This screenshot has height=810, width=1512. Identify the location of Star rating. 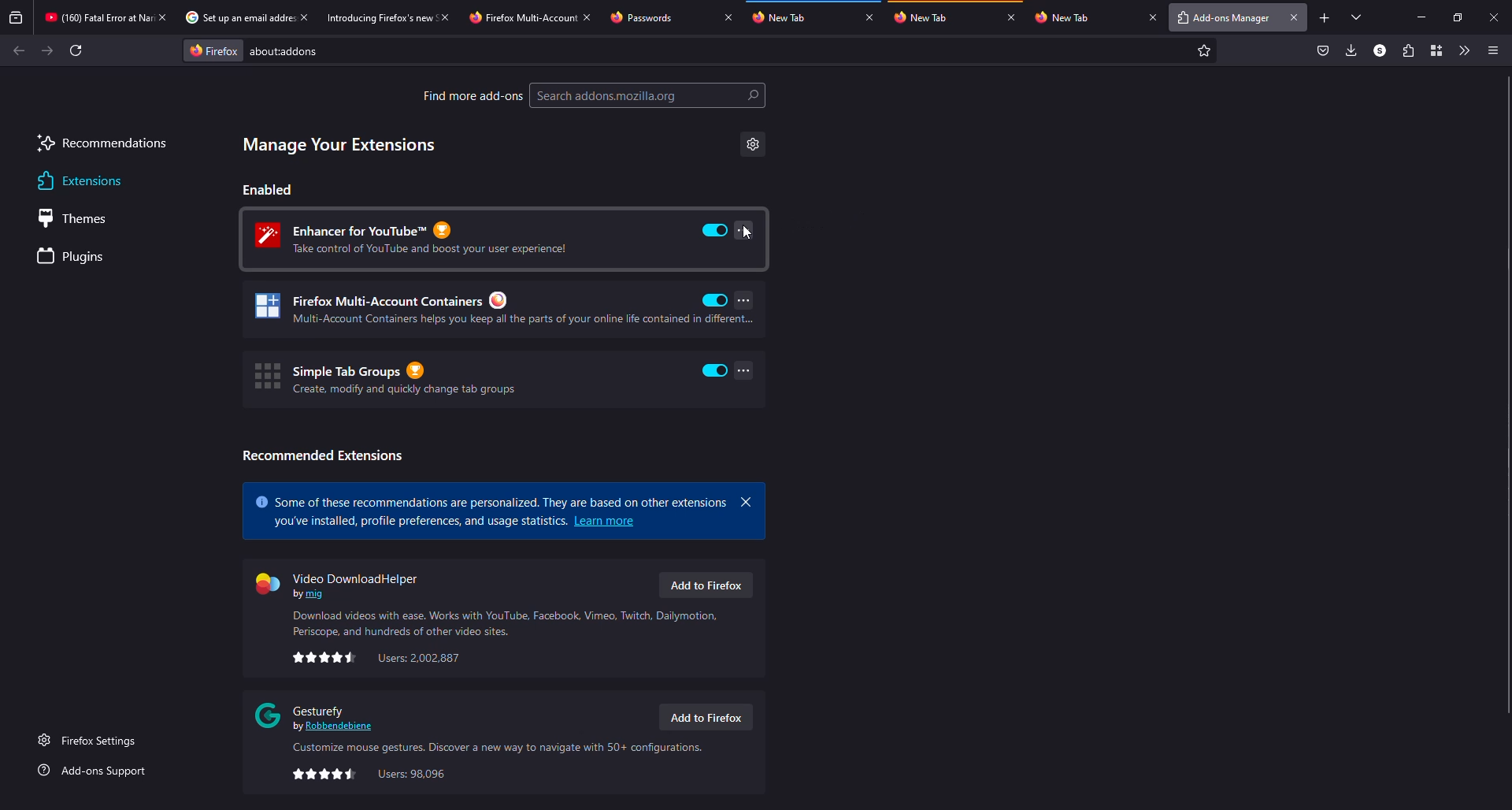
(324, 775).